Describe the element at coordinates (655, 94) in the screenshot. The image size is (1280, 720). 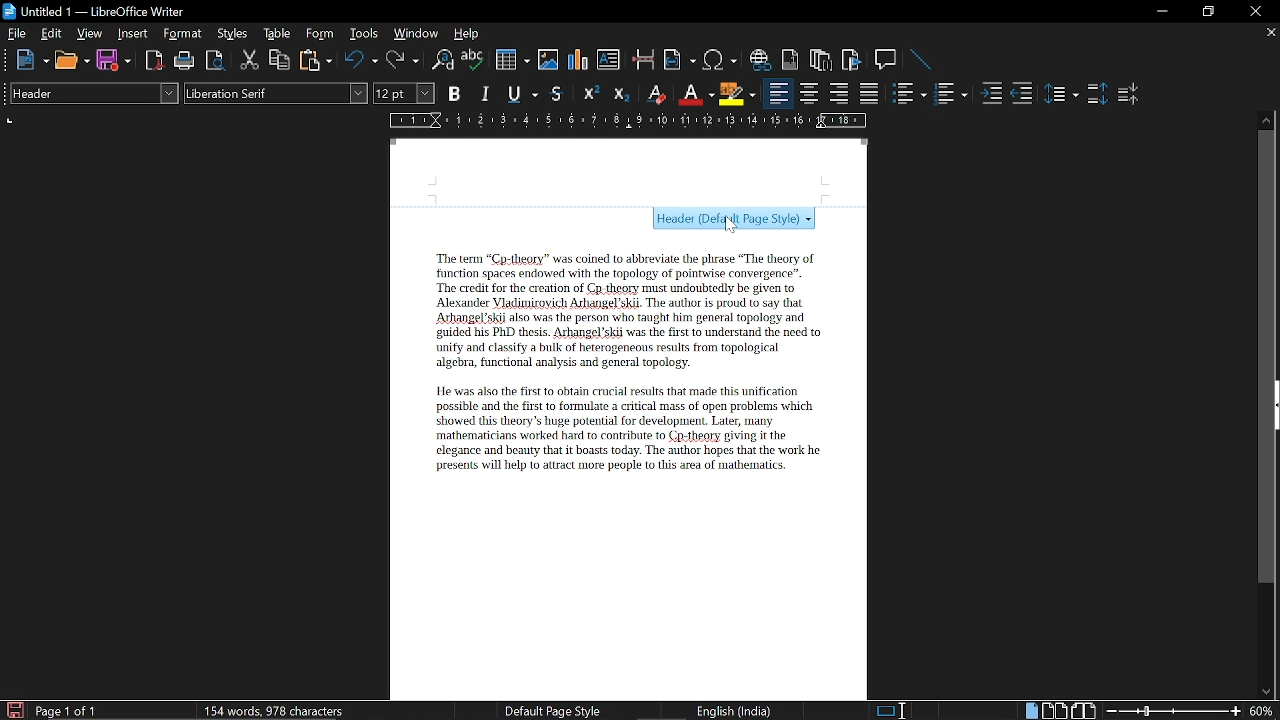
I see `Erase` at that location.